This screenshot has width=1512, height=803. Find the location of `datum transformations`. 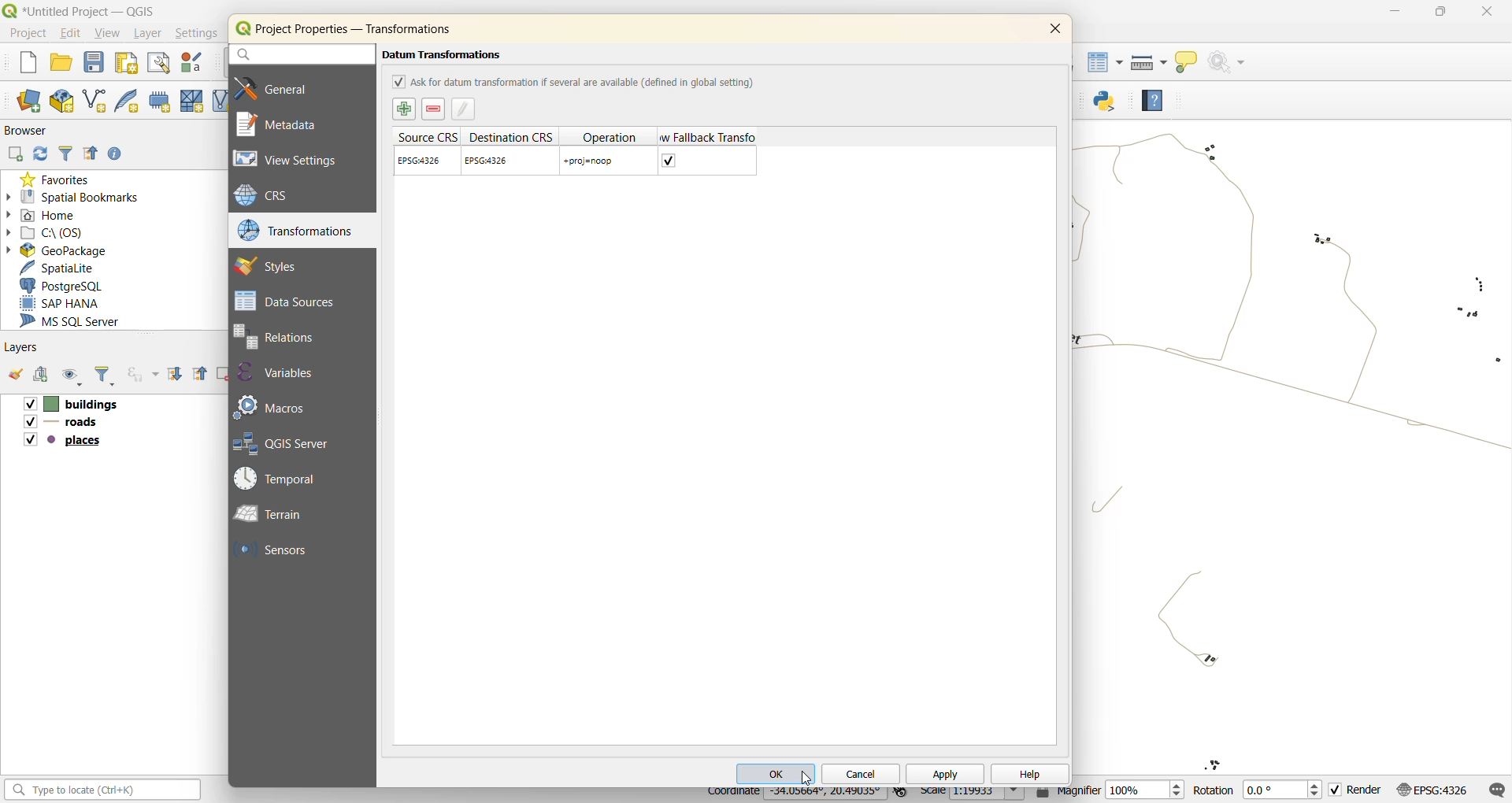

datum transformations is located at coordinates (446, 54).